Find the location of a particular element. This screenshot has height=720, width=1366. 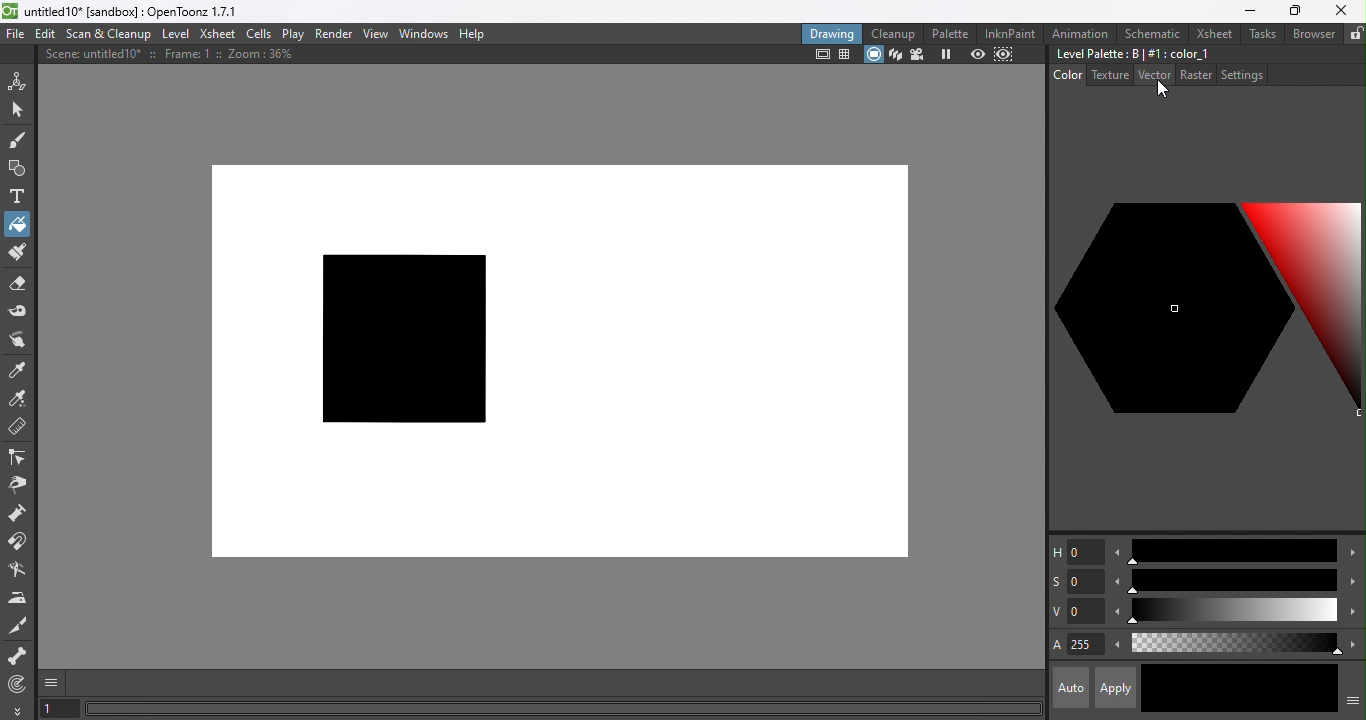

Iron tool is located at coordinates (19, 598).